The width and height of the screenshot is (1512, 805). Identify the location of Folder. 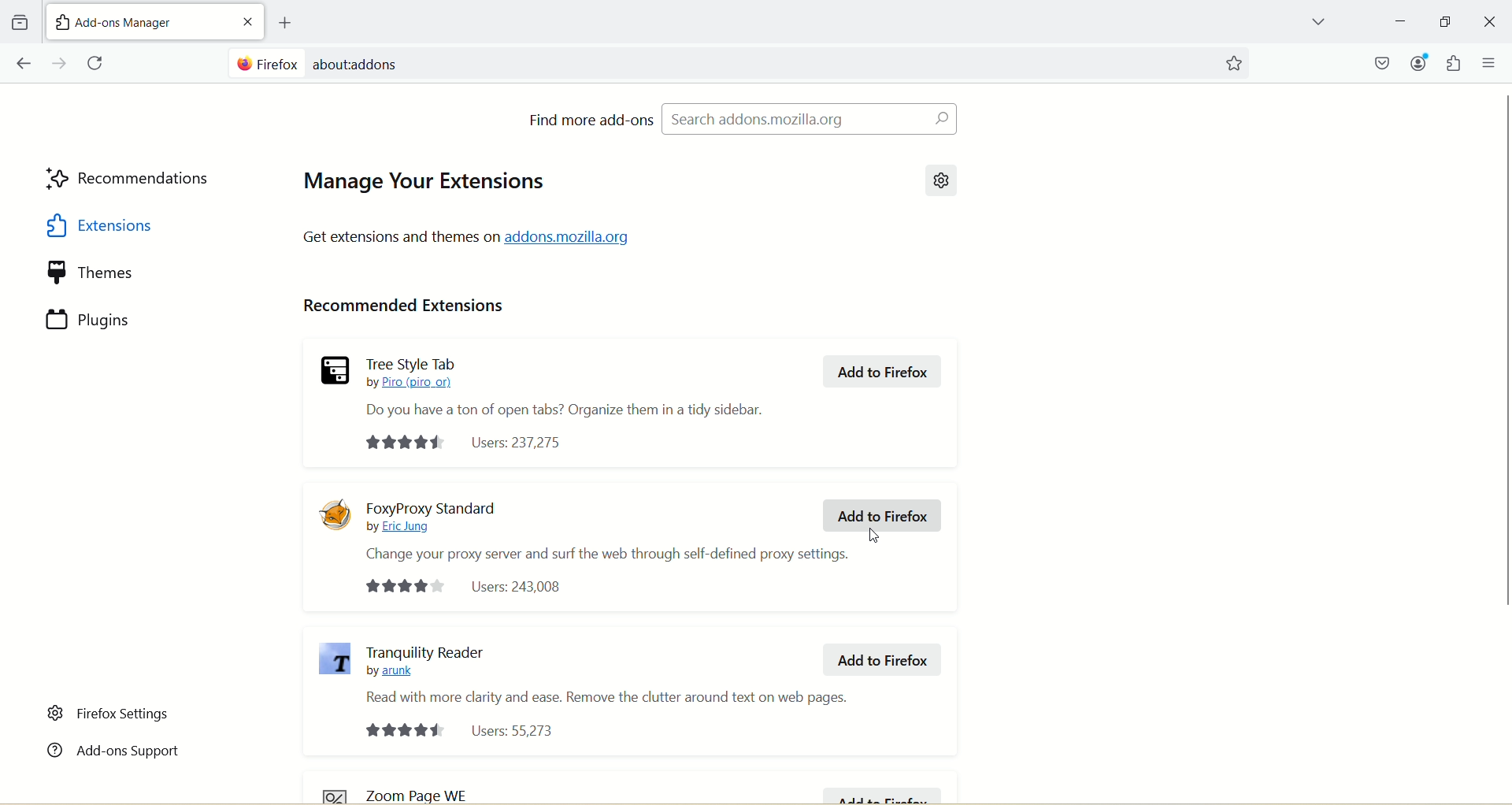
(19, 23).